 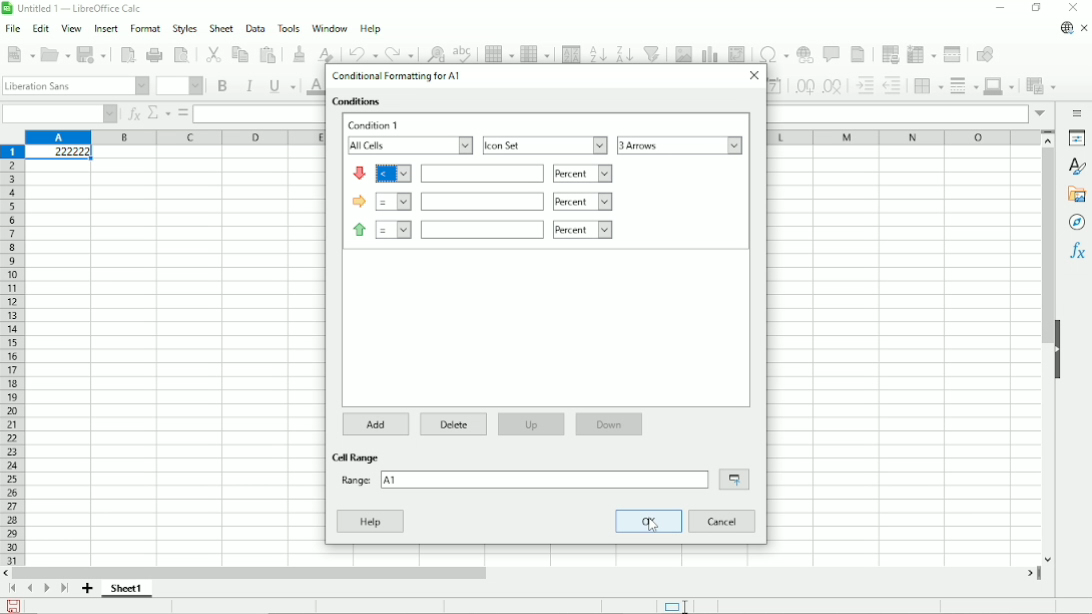 What do you see at coordinates (376, 125) in the screenshot?
I see `Condition 1` at bounding box center [376, 125].